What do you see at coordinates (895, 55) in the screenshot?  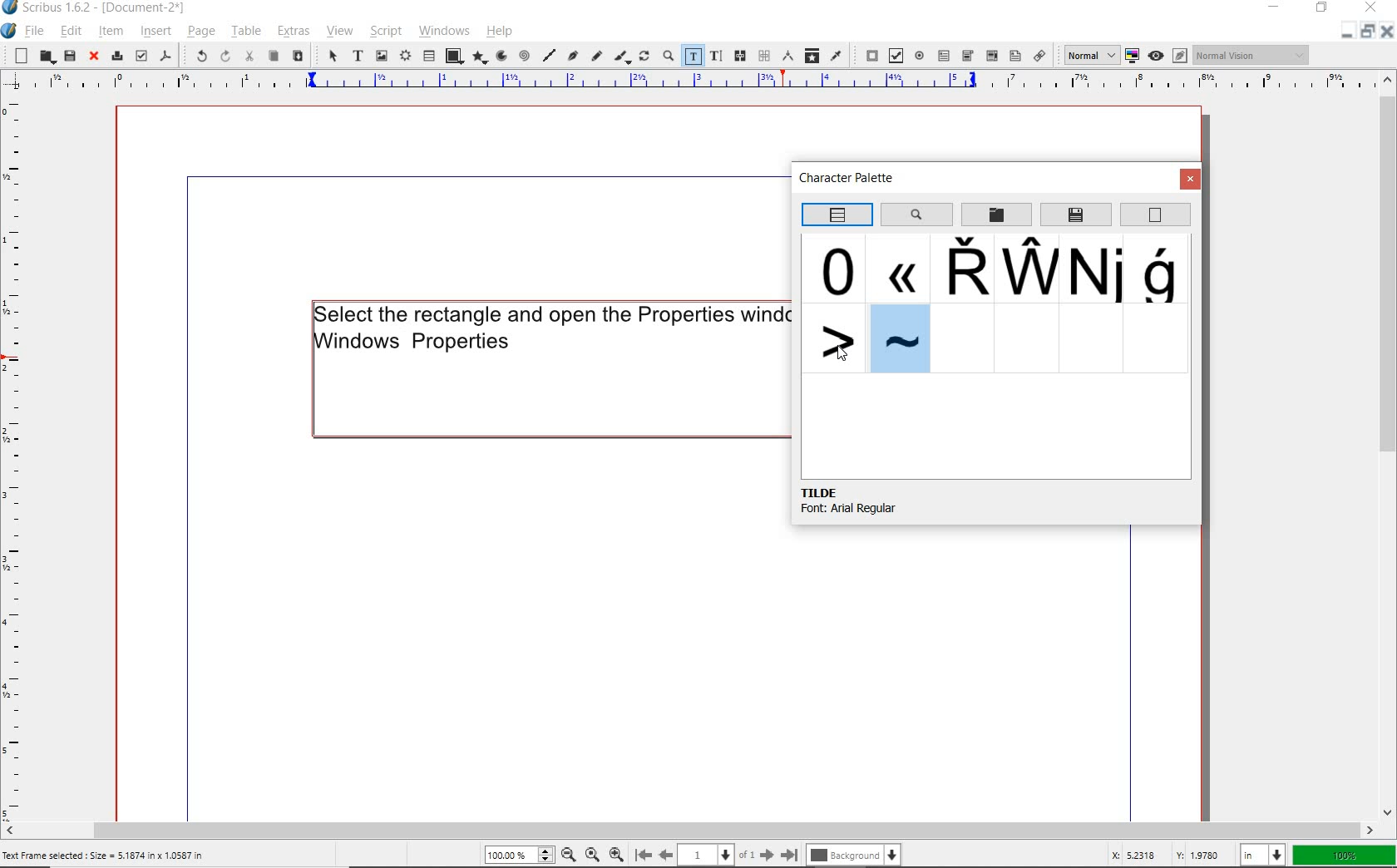 I see `pdf check box` at bounding box center [895, 55].